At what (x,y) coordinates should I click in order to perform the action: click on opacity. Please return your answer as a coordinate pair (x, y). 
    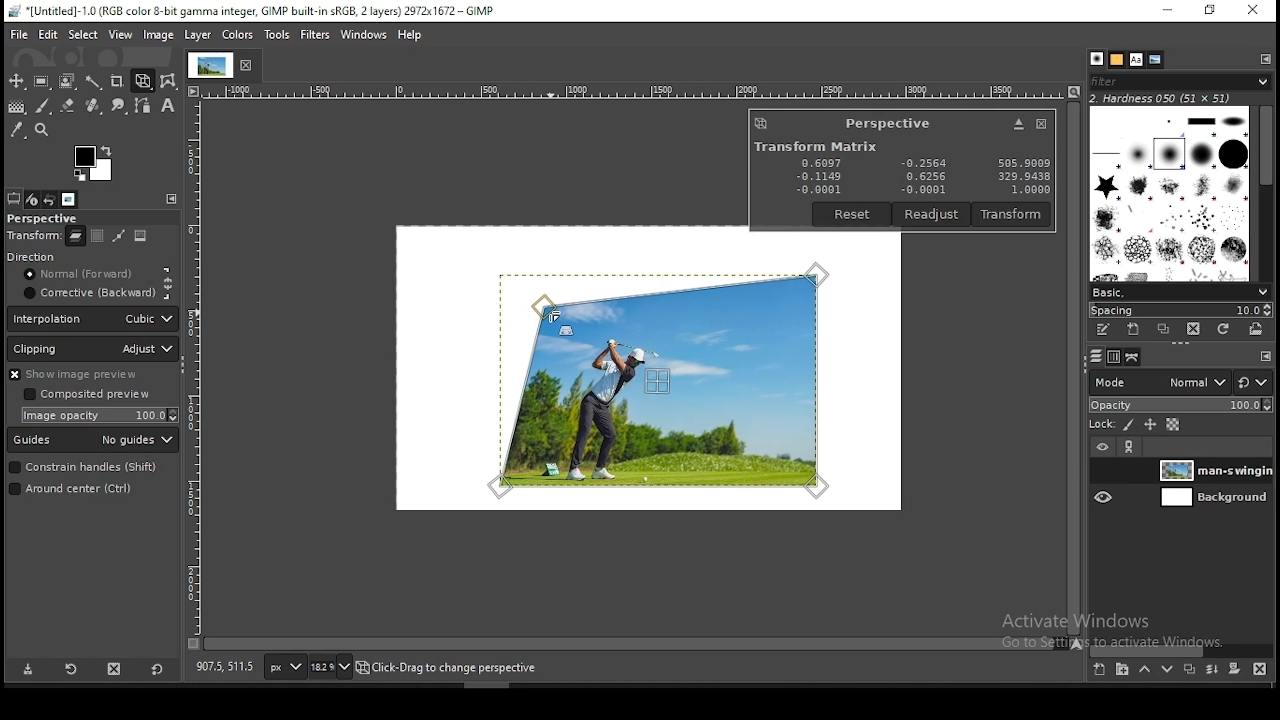
    Looking at the image, I should click on (1181, 406).